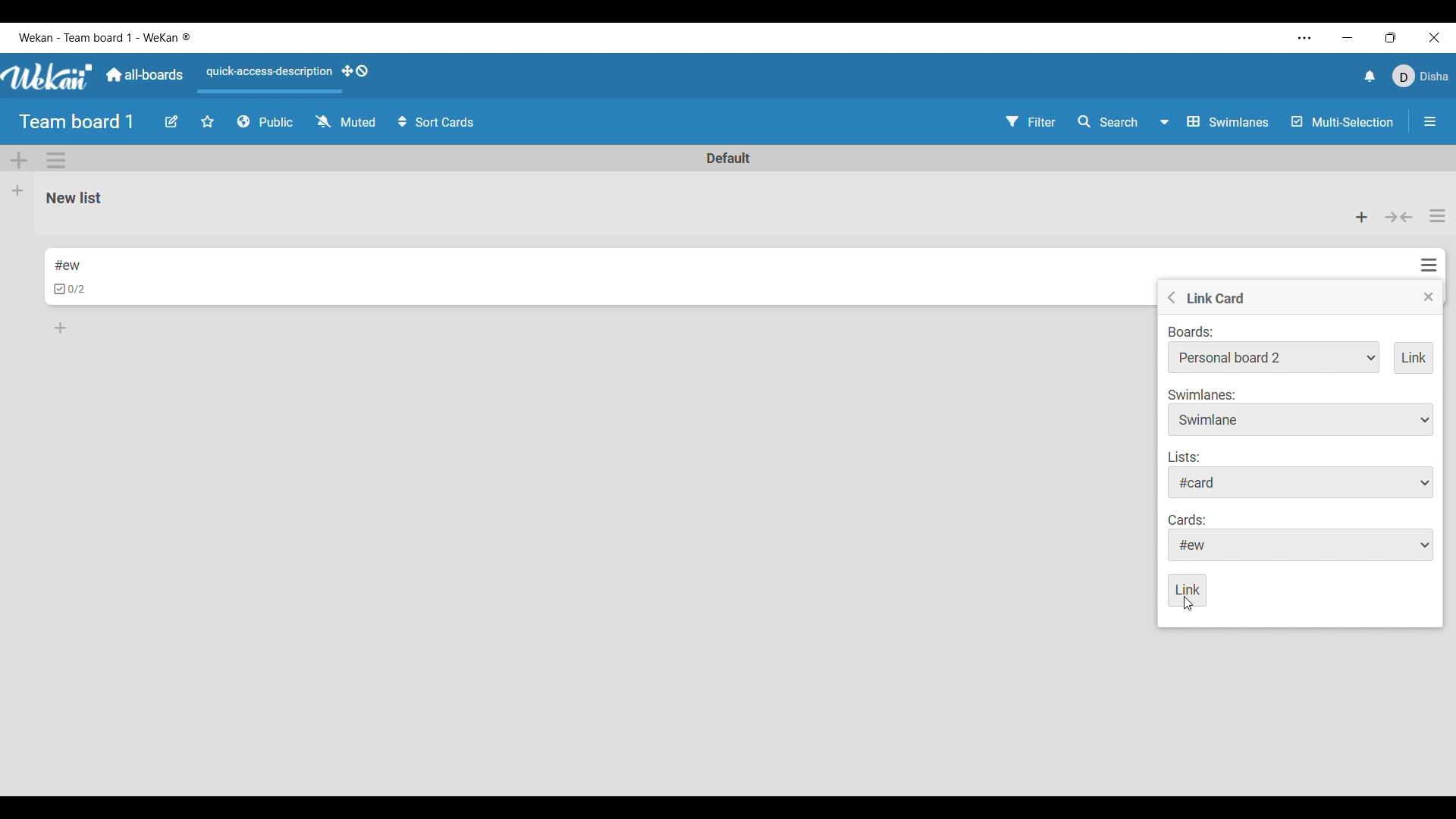  I want to click on Board title, so click(77, 122).